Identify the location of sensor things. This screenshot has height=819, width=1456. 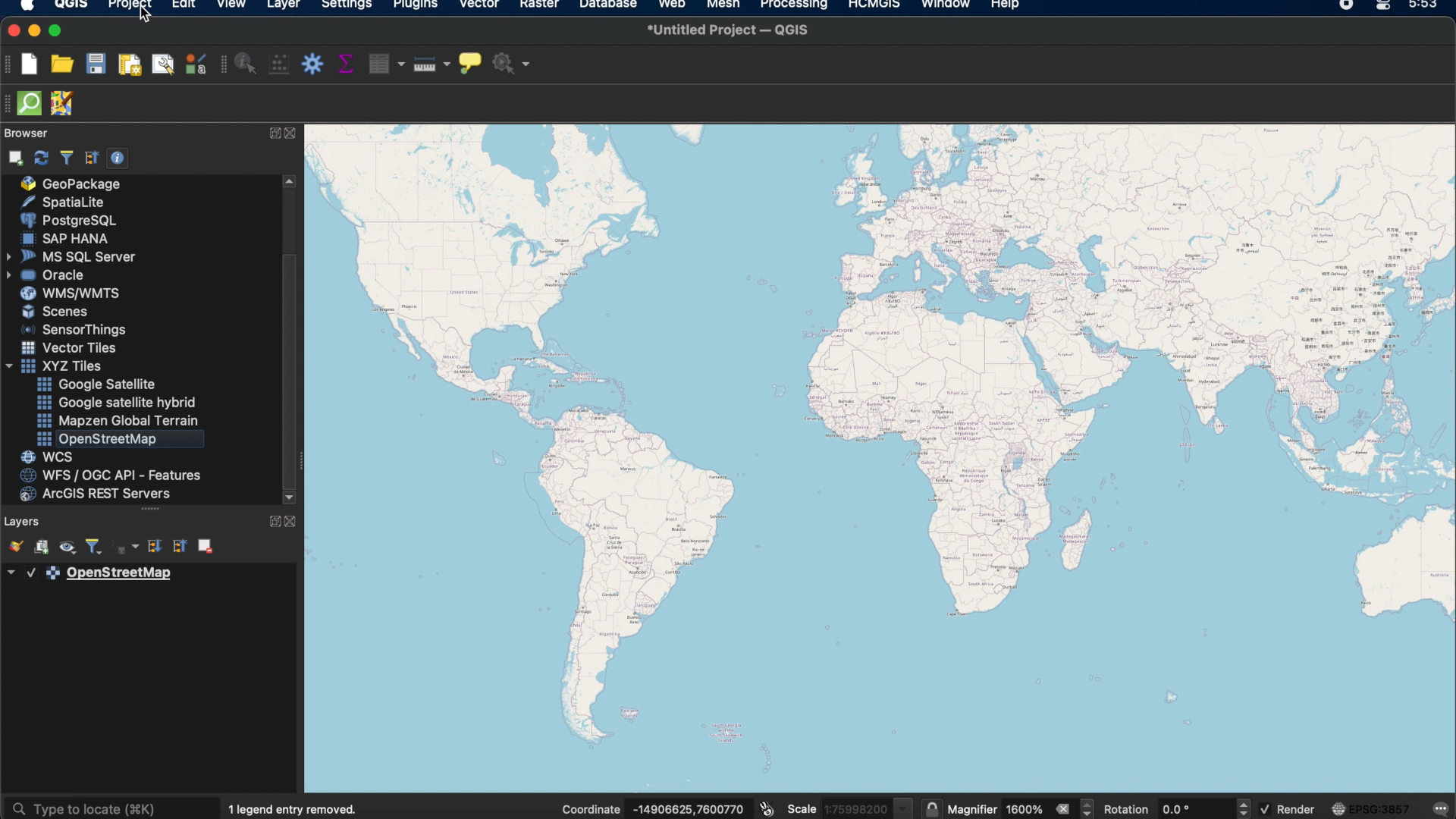
(71, 330).